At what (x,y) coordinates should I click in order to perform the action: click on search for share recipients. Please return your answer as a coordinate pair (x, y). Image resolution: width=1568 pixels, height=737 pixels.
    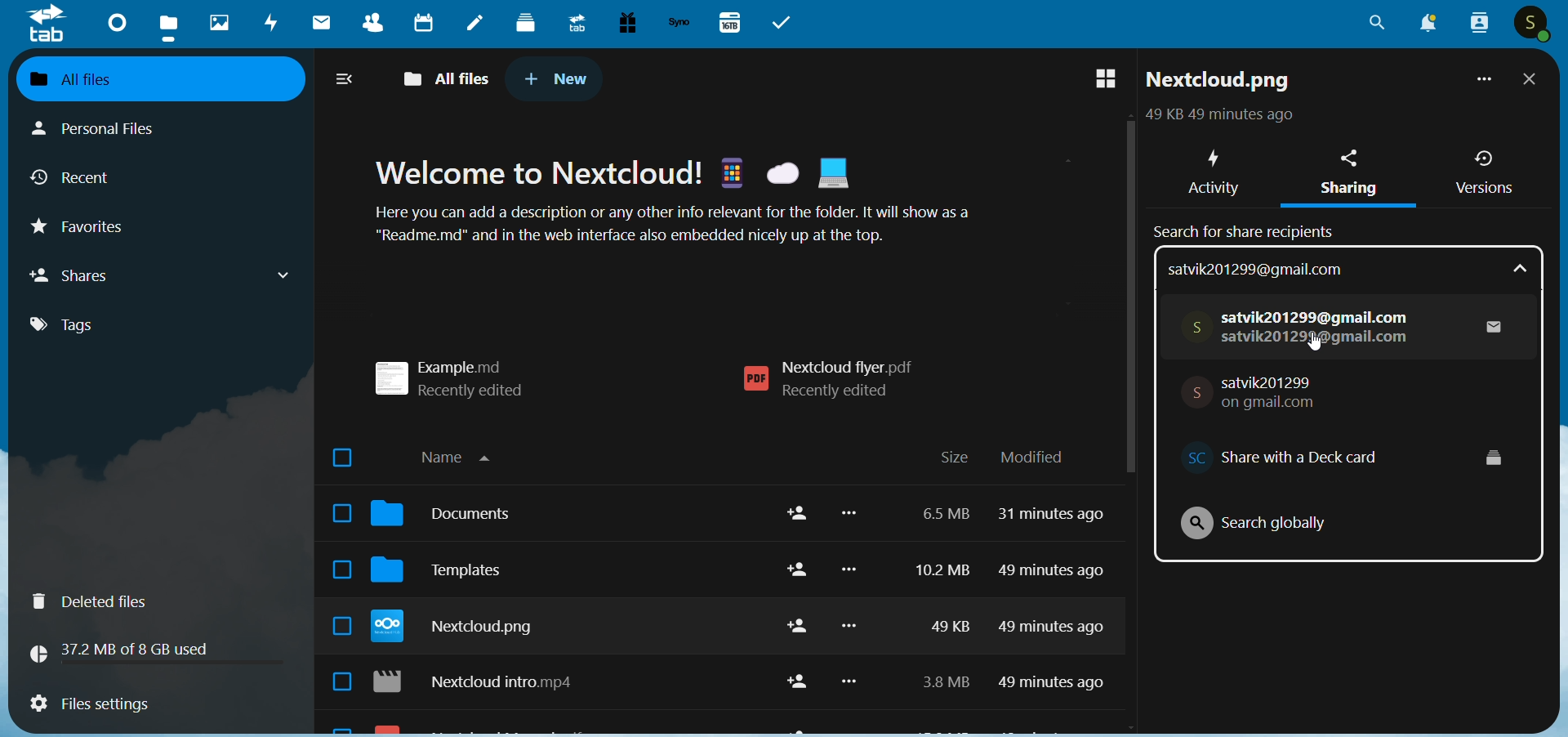
    Looking at the image, I should click on (1249, 229).